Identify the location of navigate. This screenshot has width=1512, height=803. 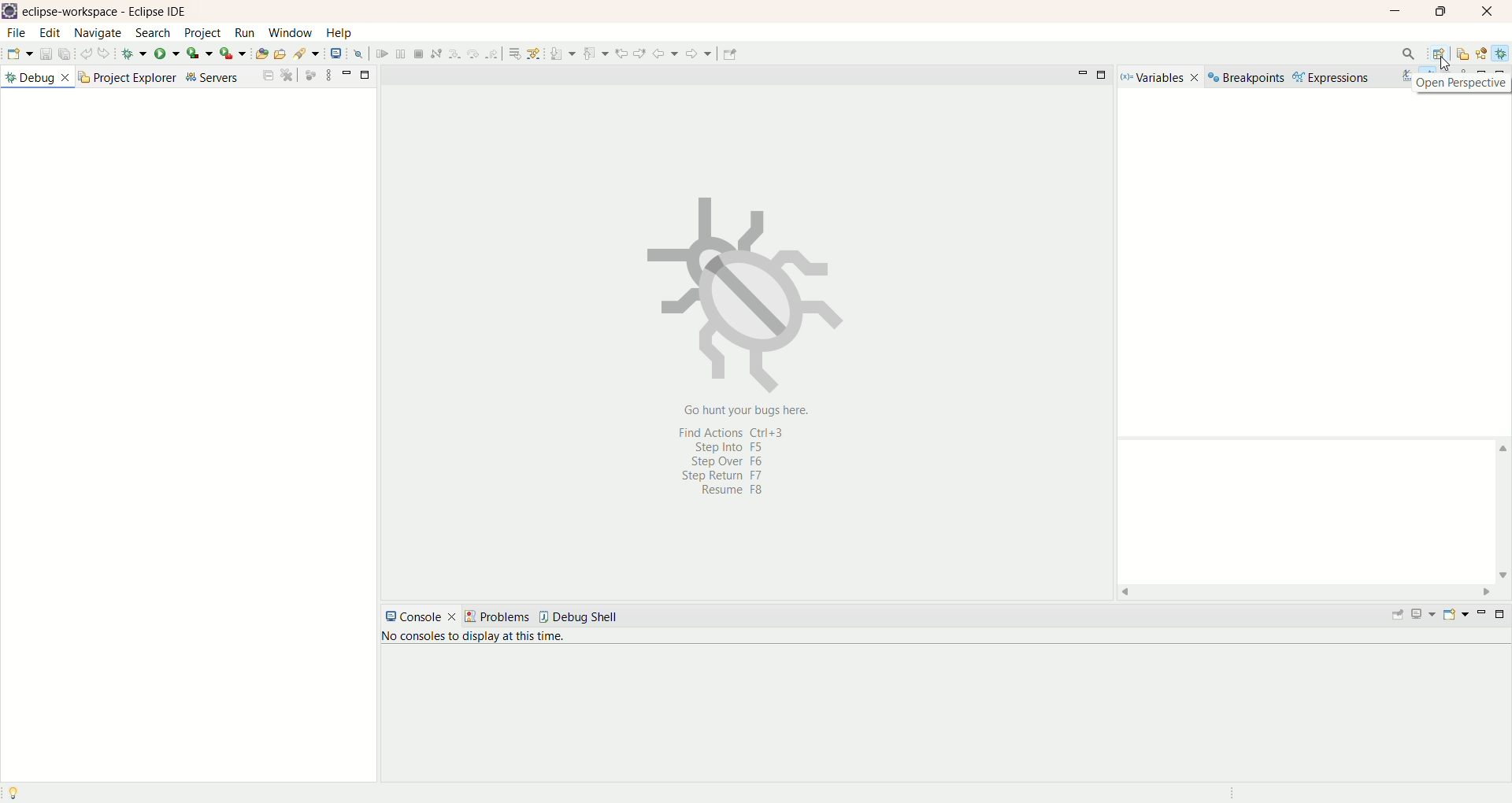
(100, 35).